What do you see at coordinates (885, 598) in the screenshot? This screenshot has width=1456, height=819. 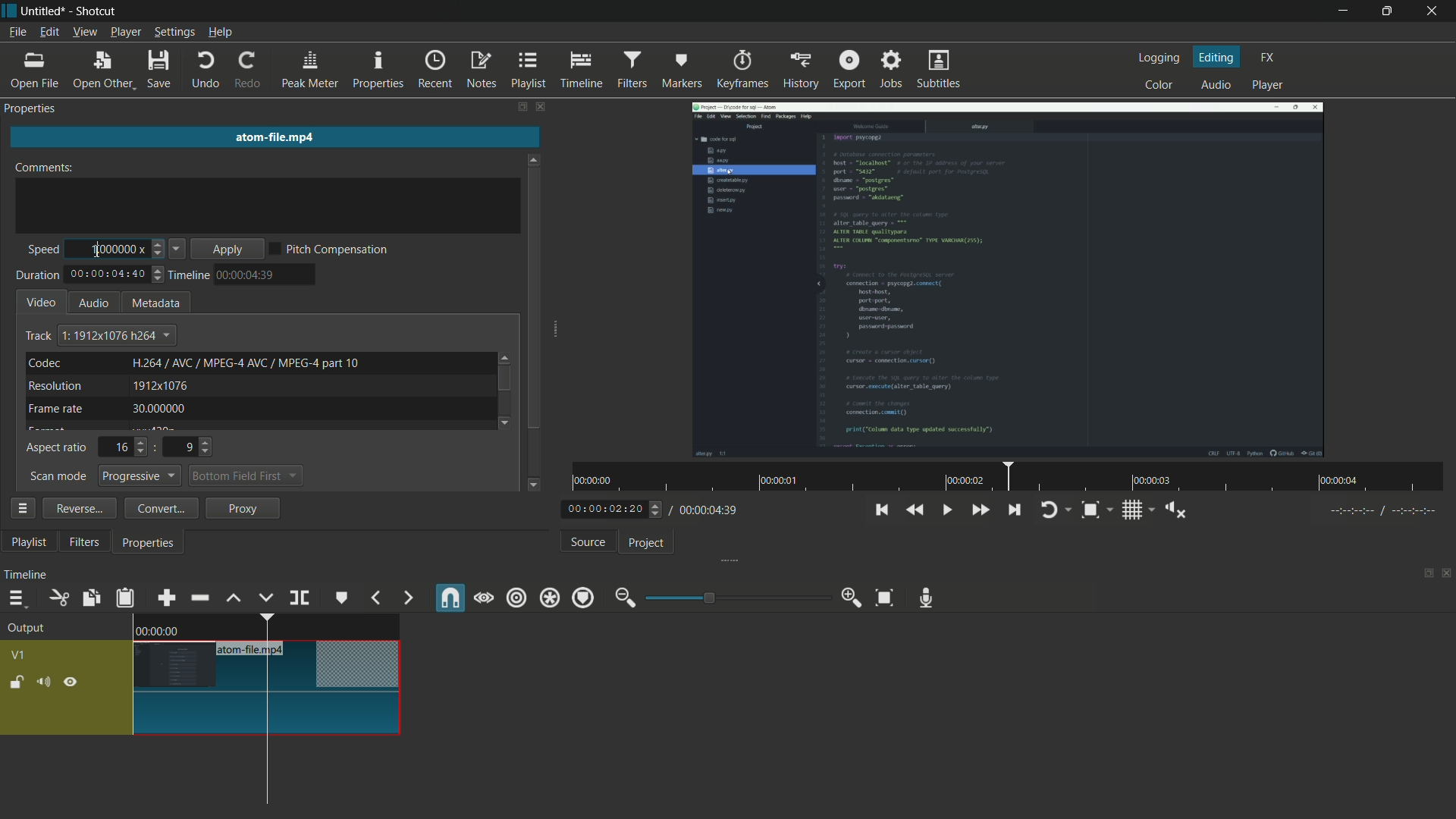 I see `zoom timeline to fit` at bounding box center [885, 598].